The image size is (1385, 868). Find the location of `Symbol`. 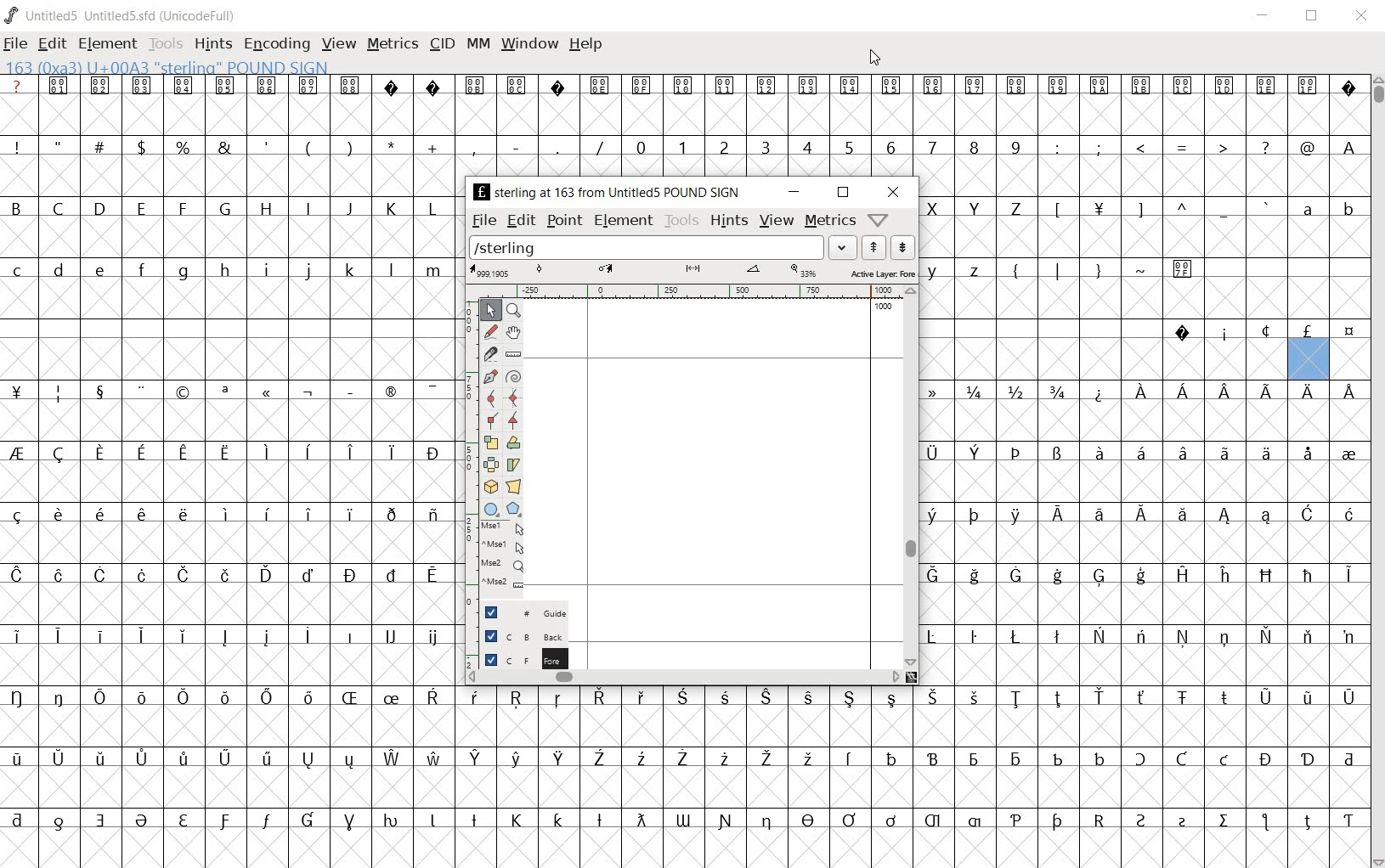

Symbol is located at coordinates (849, 820).